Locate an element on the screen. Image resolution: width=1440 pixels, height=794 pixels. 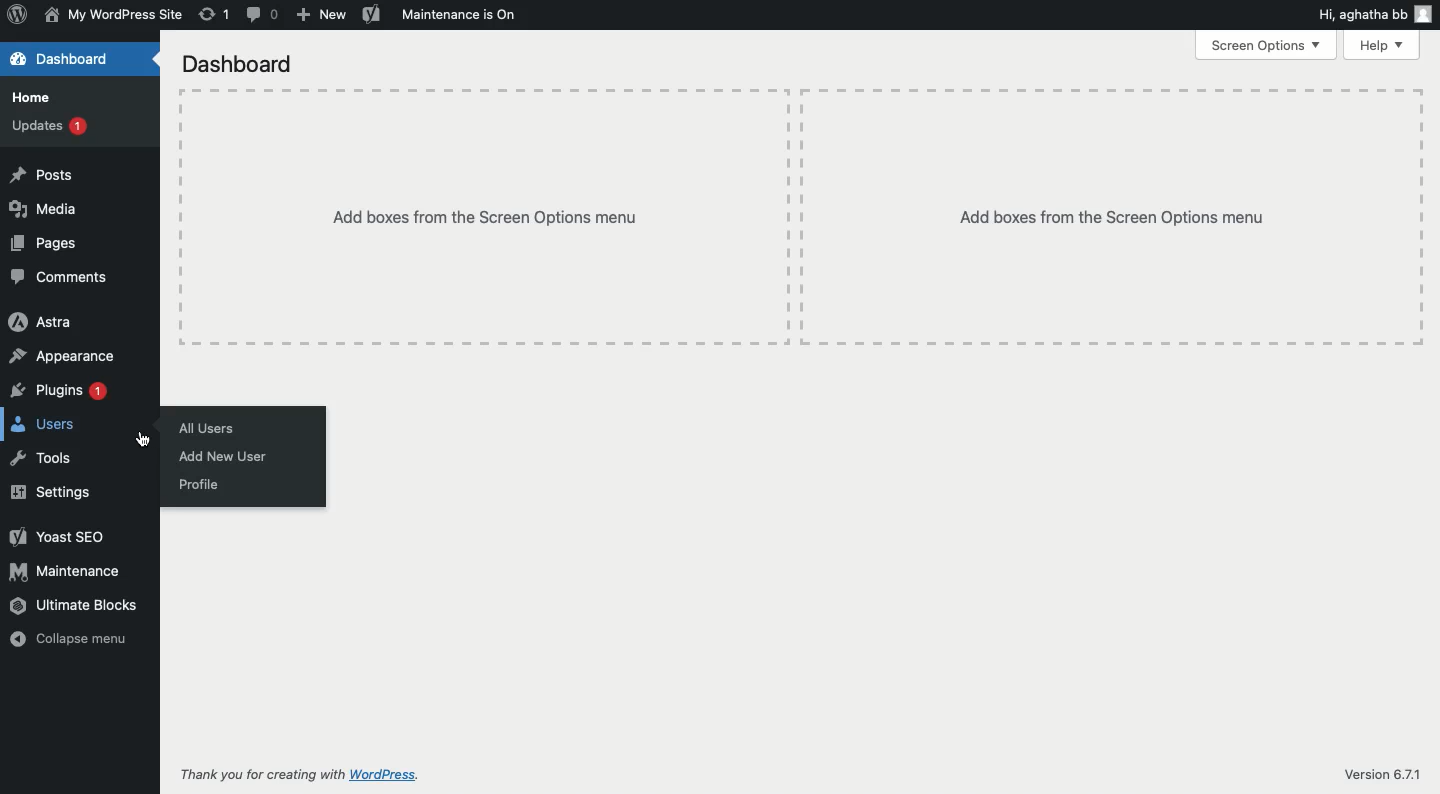
Yoast SEO is located at coordinates (61, 537).